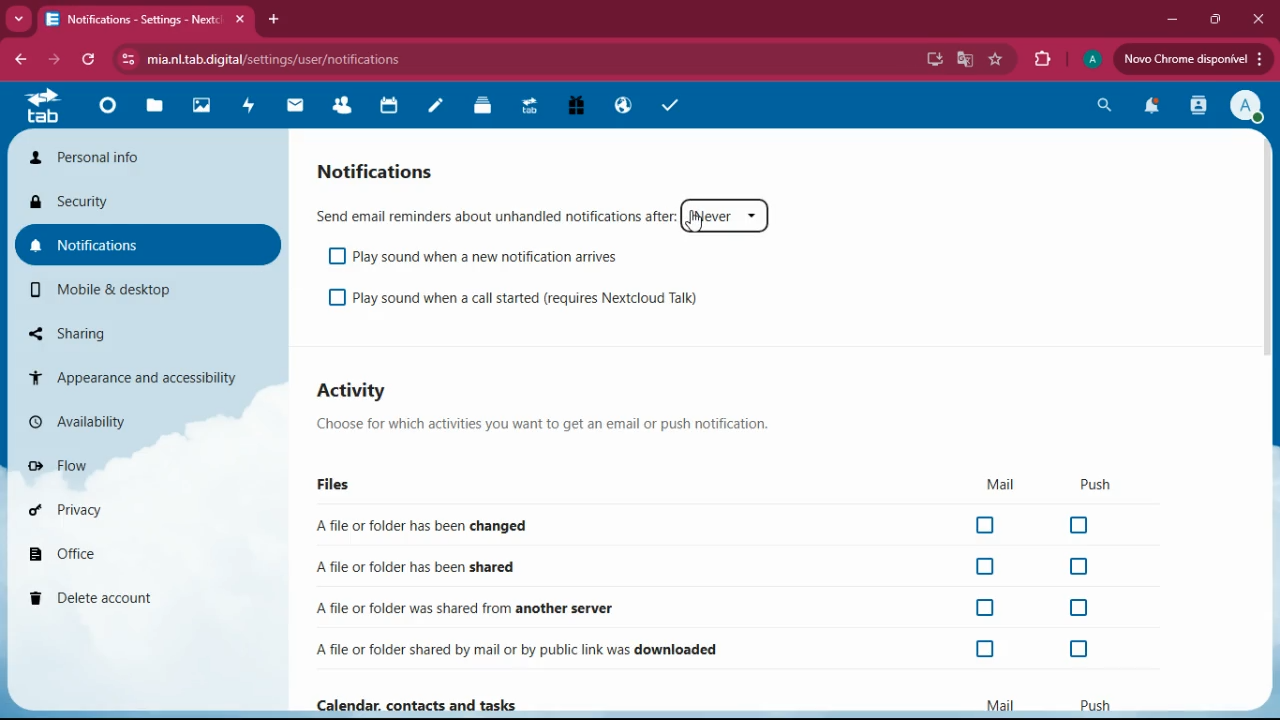 This screenshot has width=1280, height=720. What do you see at coordinates (124, 557) in the screenshot?
I see `office` at bounding box center [124, 557].